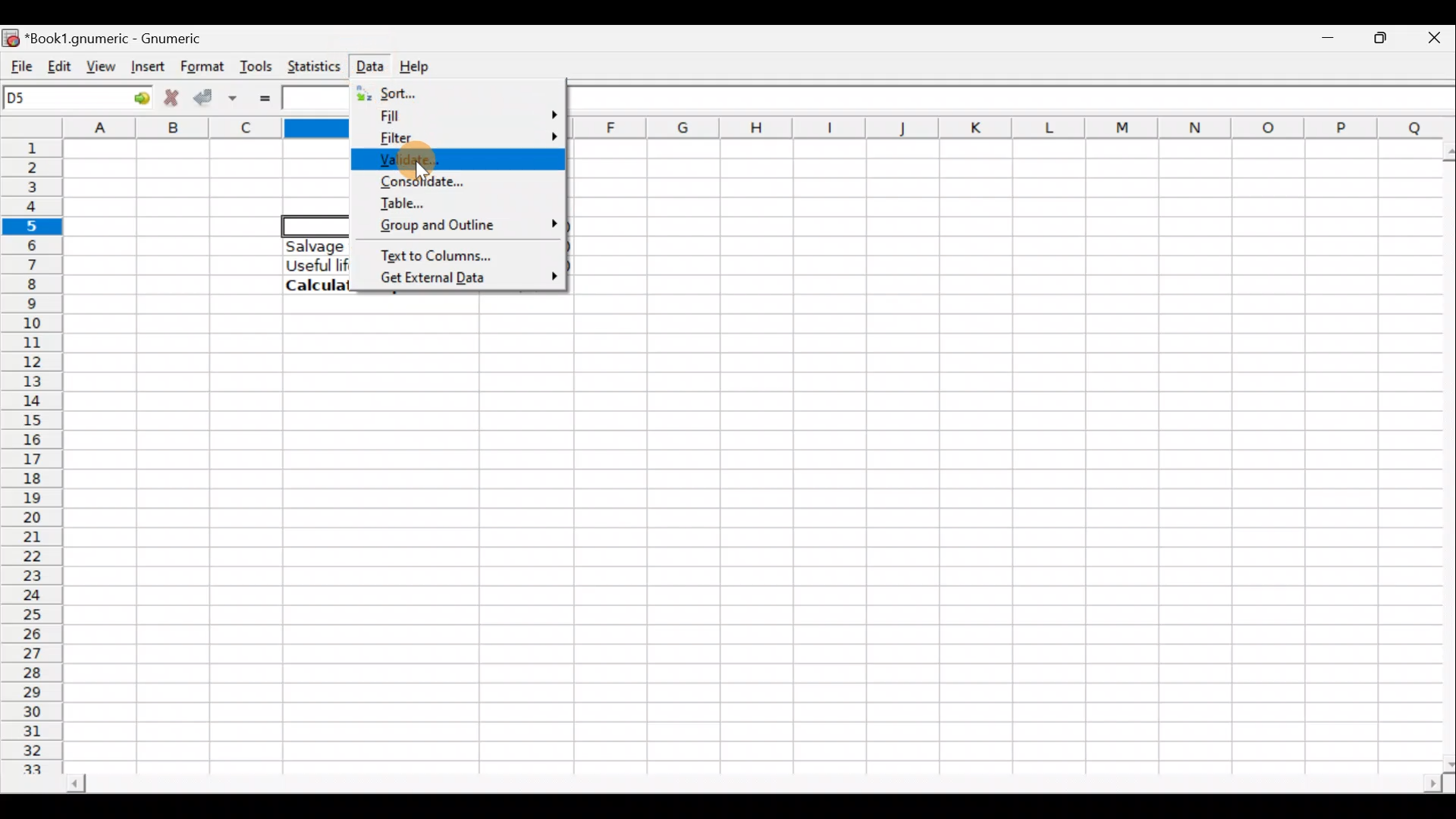 Image resolution: width=1456 pixels, height=819 pixels. What do you see at coordinates (59, 63) in the screenshot?
I see `Edit` at bounding box center [59, 63].